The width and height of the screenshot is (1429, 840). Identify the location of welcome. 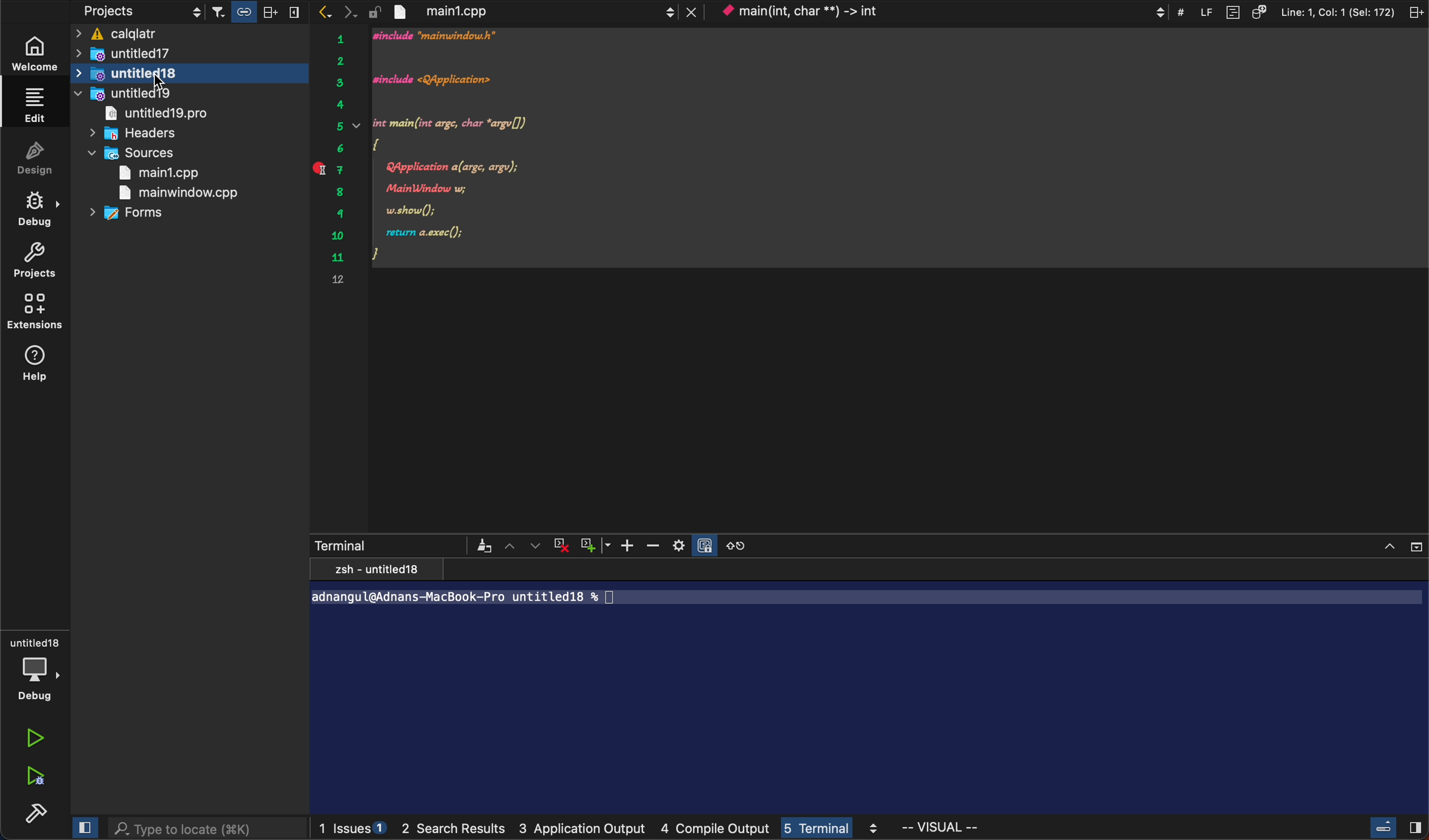
(38, 51).